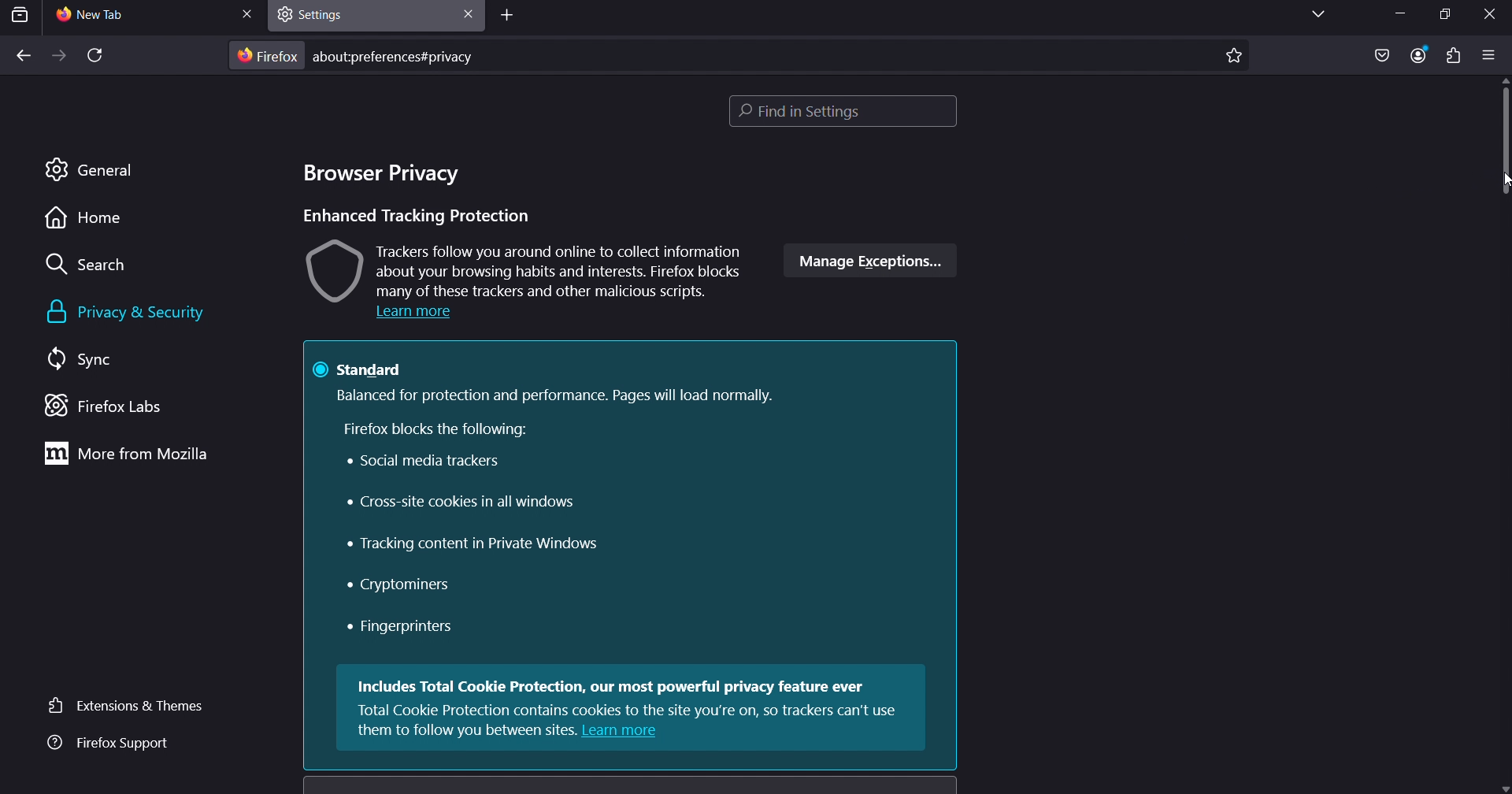  I want to click on Learn more, so click(624, 732).